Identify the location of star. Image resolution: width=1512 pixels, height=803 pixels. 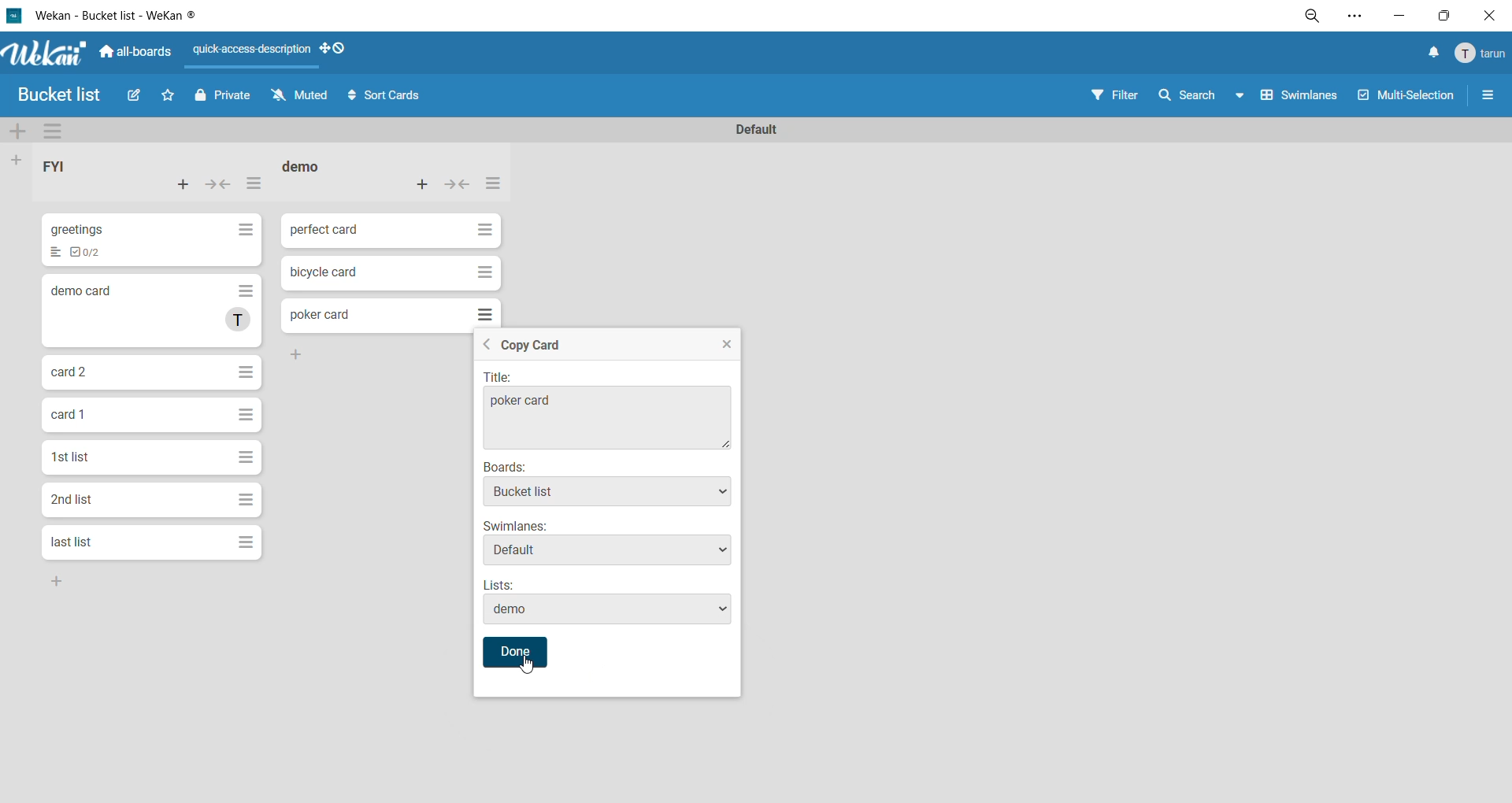
(172, 98).